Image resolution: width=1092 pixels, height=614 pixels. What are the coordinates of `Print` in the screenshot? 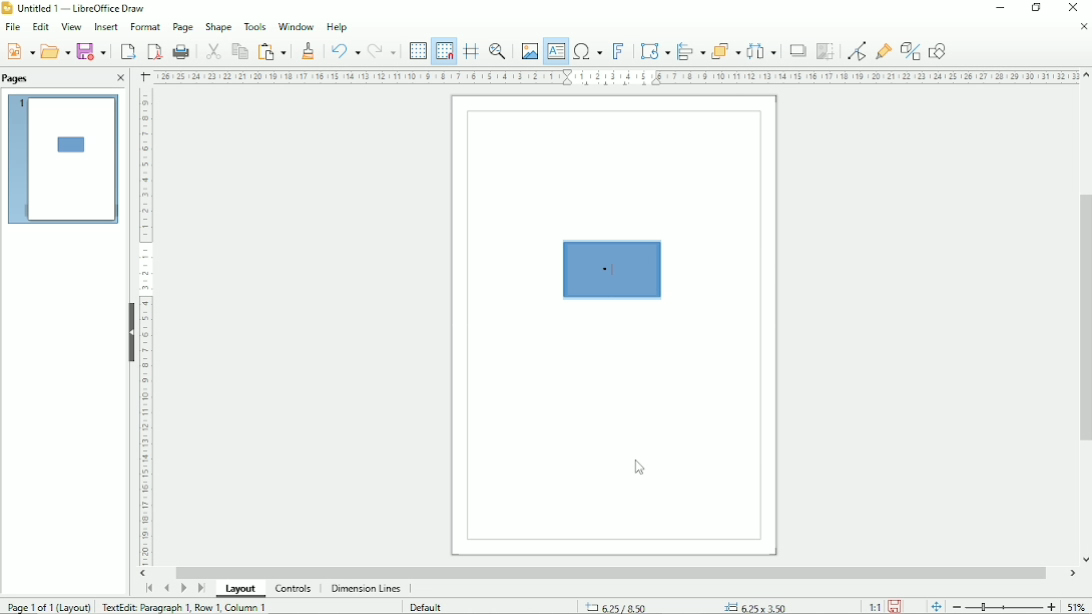 It's located at (181, 51).